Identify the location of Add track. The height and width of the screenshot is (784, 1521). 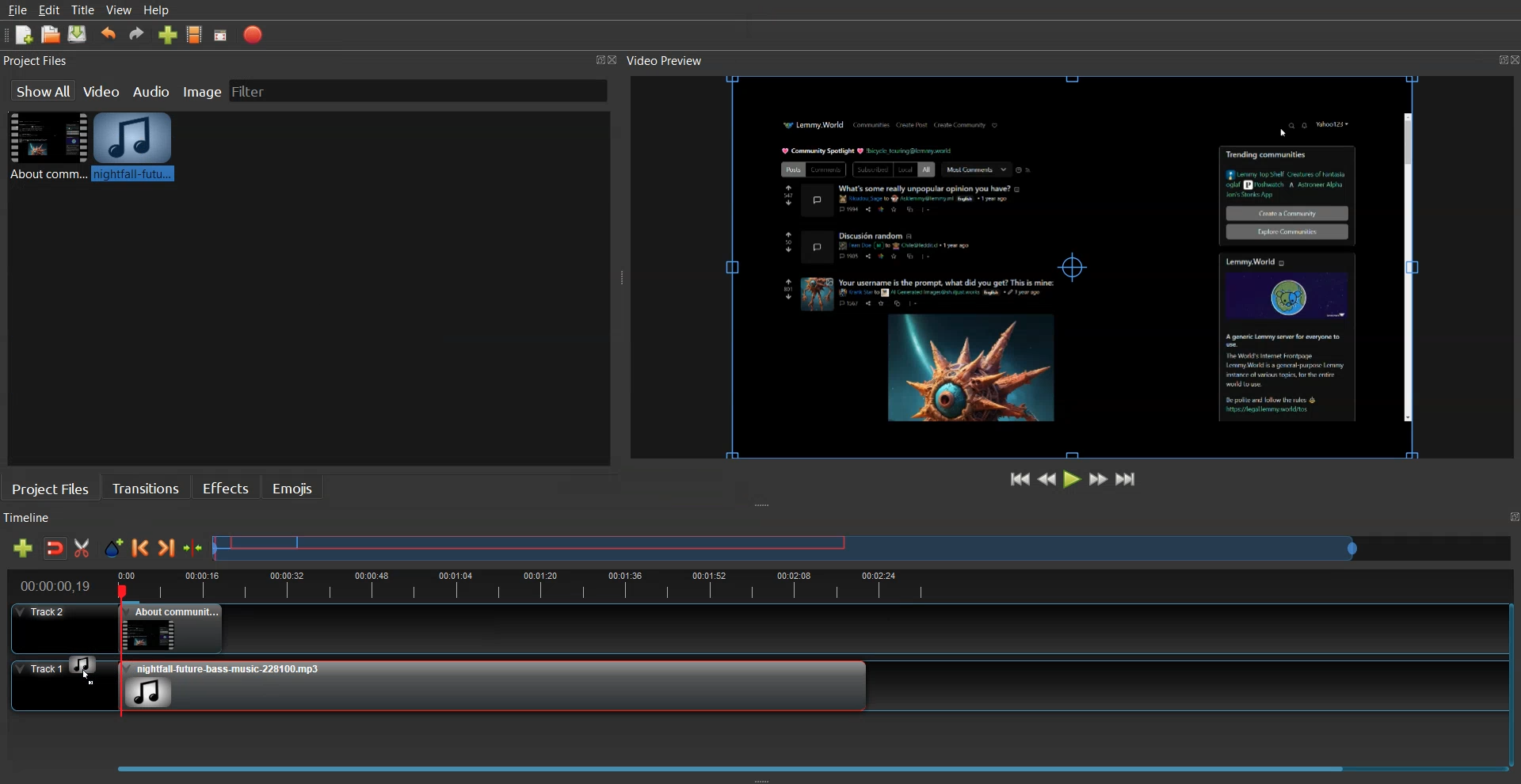
(22, 548).